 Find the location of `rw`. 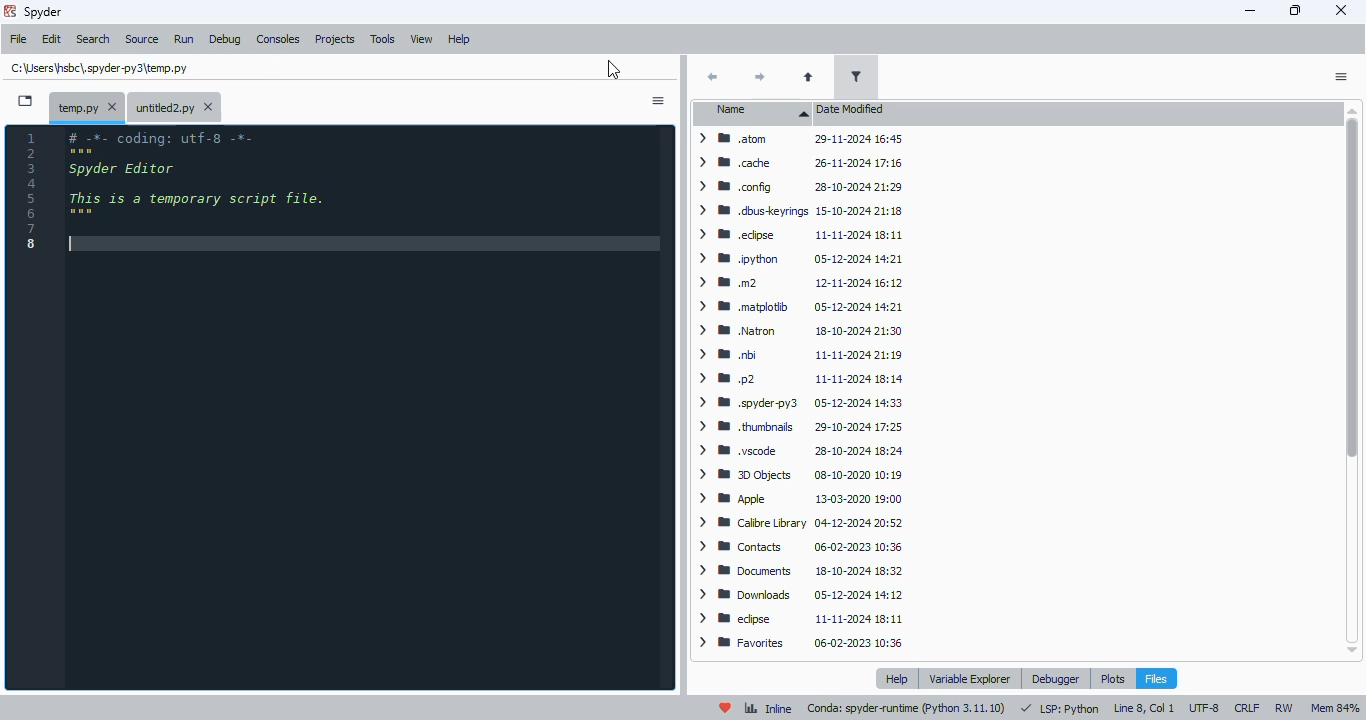

rw is located at coordinates (1285, 708).